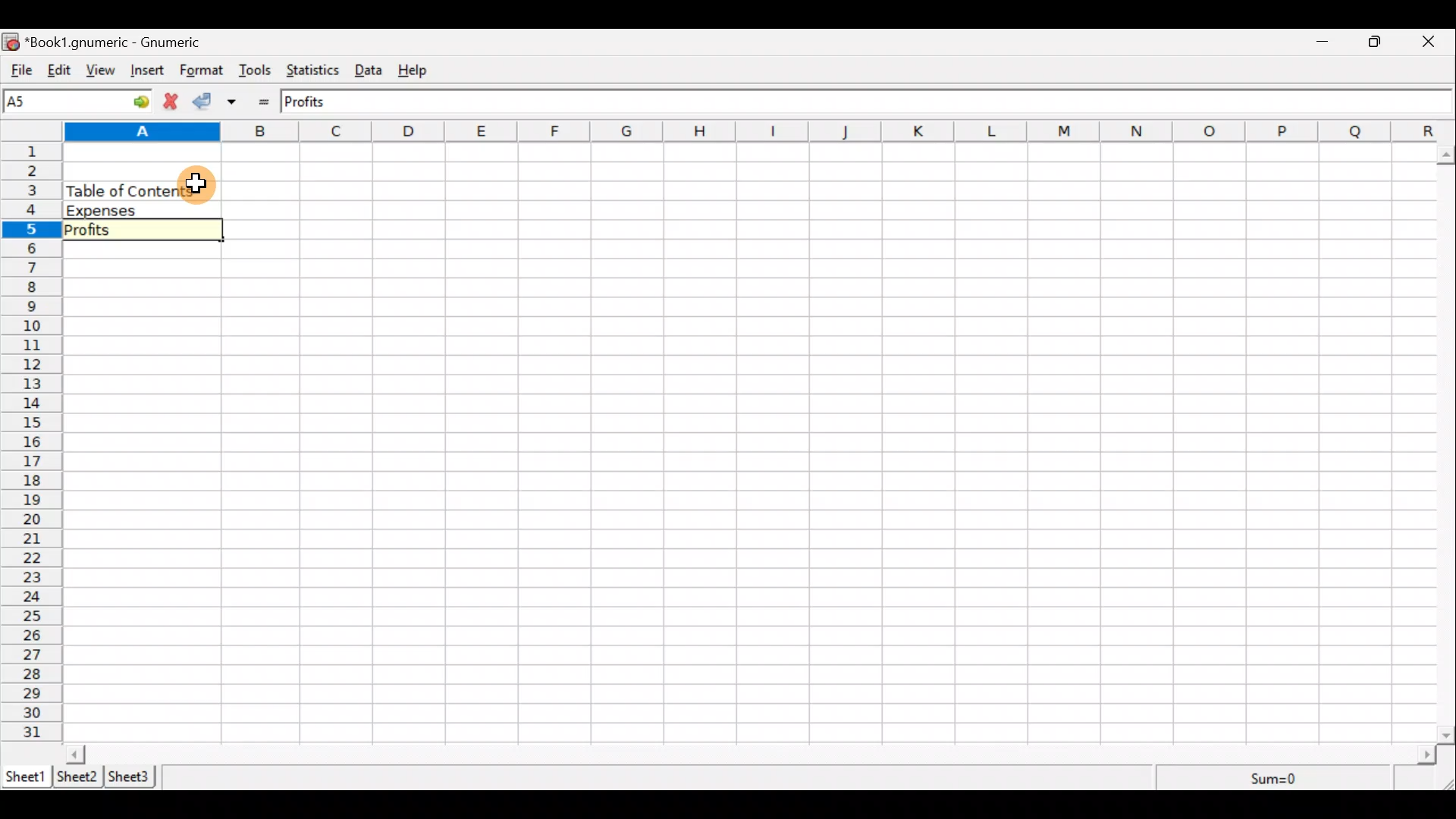  Describe the element at coordinates (1435, 42) in the screenshot. I see `Close` at that location.